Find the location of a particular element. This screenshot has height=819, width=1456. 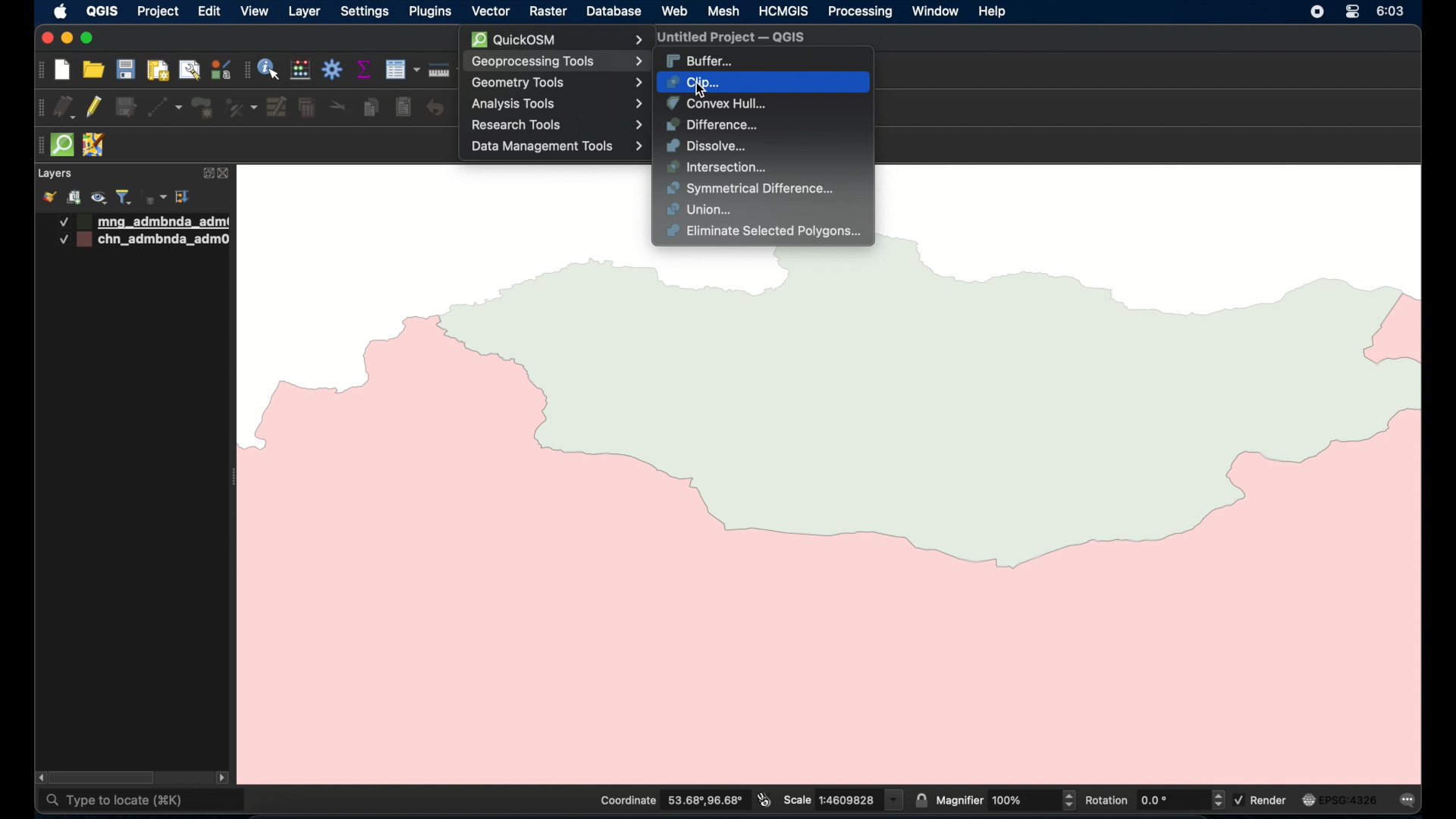

copy features is located at coordinates (372, 108).